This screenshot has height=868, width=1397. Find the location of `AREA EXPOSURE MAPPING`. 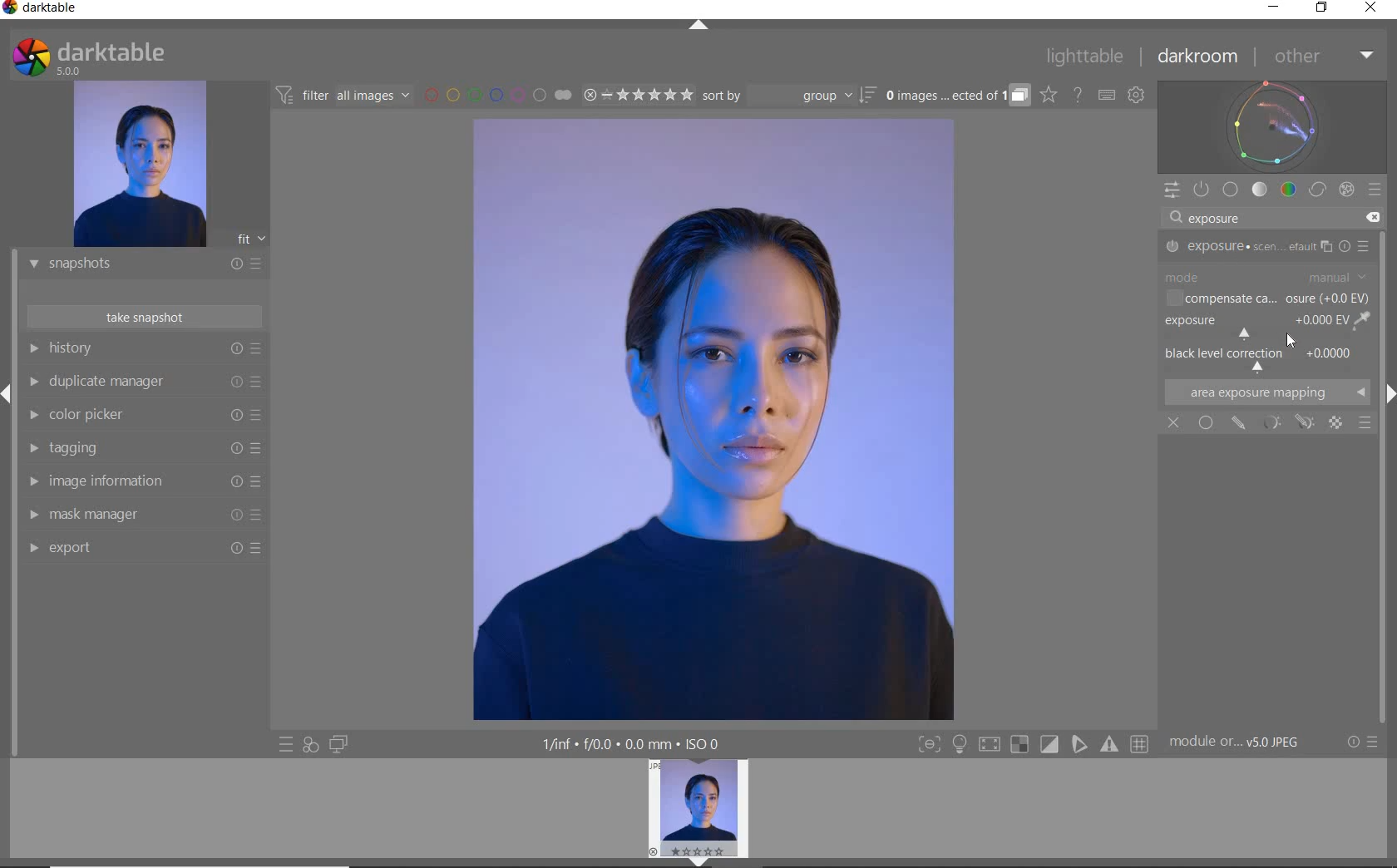

AREA EXPOSURE MAPPING is located at coordinates (1265, 392).